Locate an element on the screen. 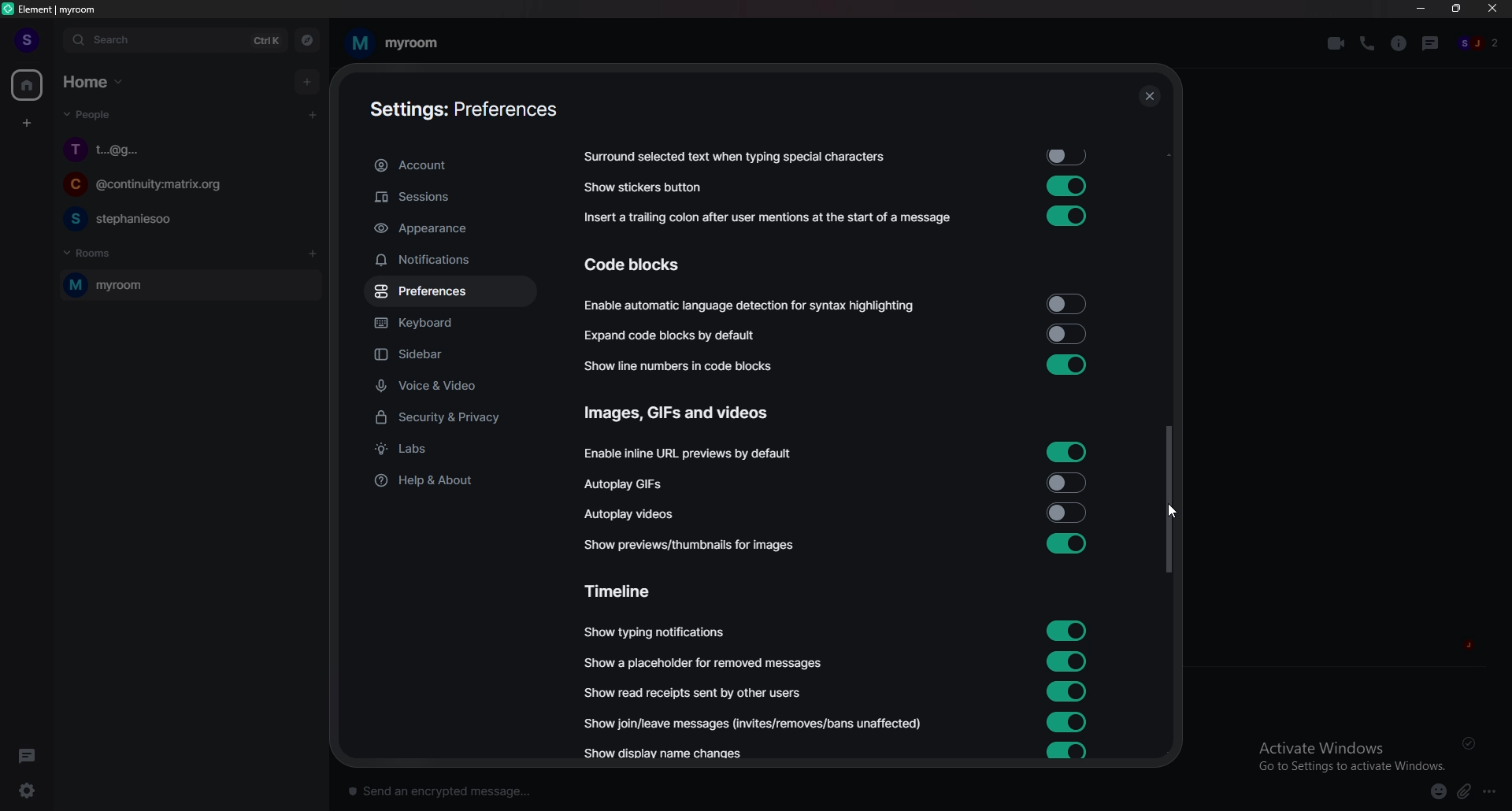  close is located at coordinates (1493, 12).